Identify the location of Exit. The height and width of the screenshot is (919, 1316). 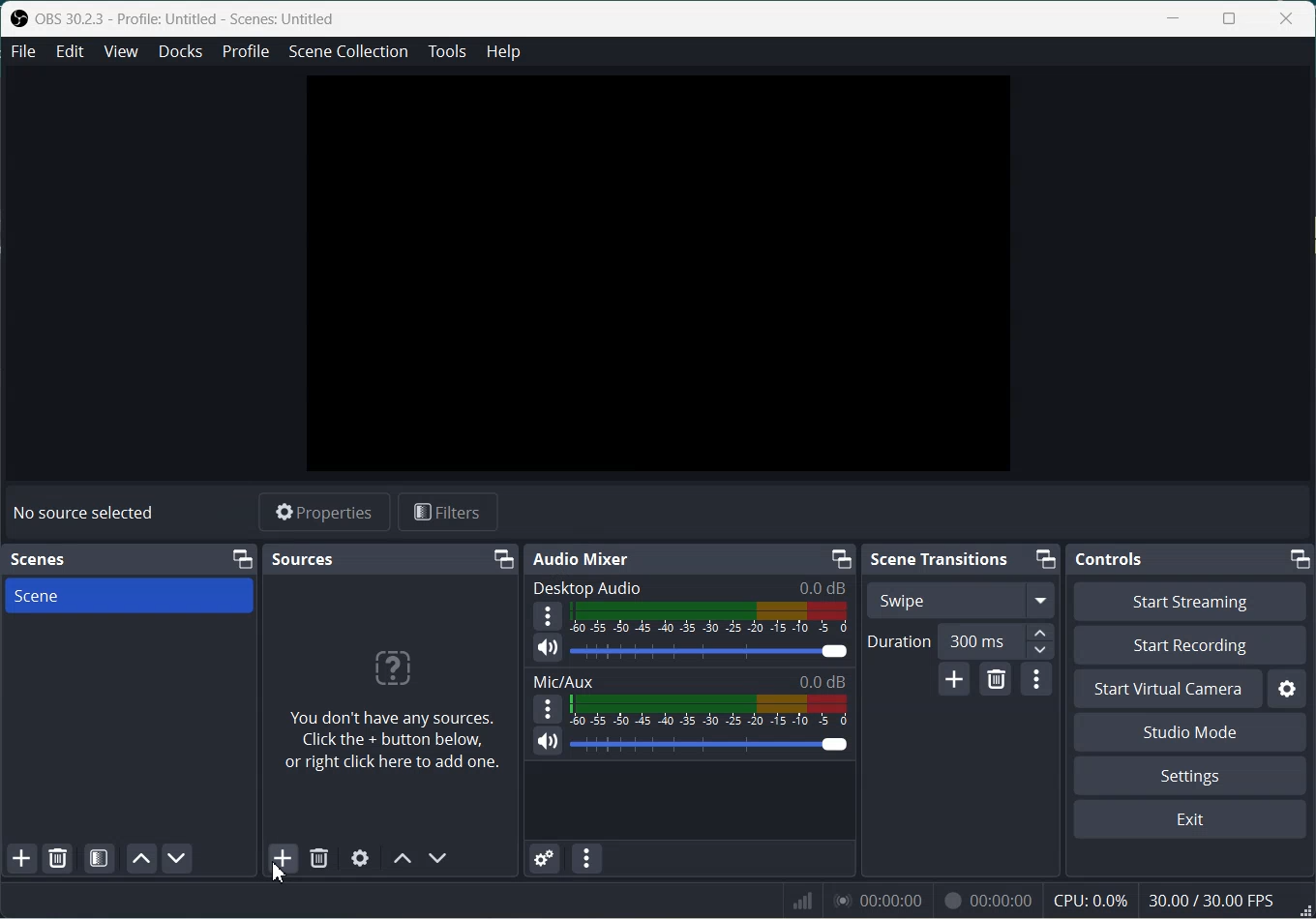
(1189, 819).